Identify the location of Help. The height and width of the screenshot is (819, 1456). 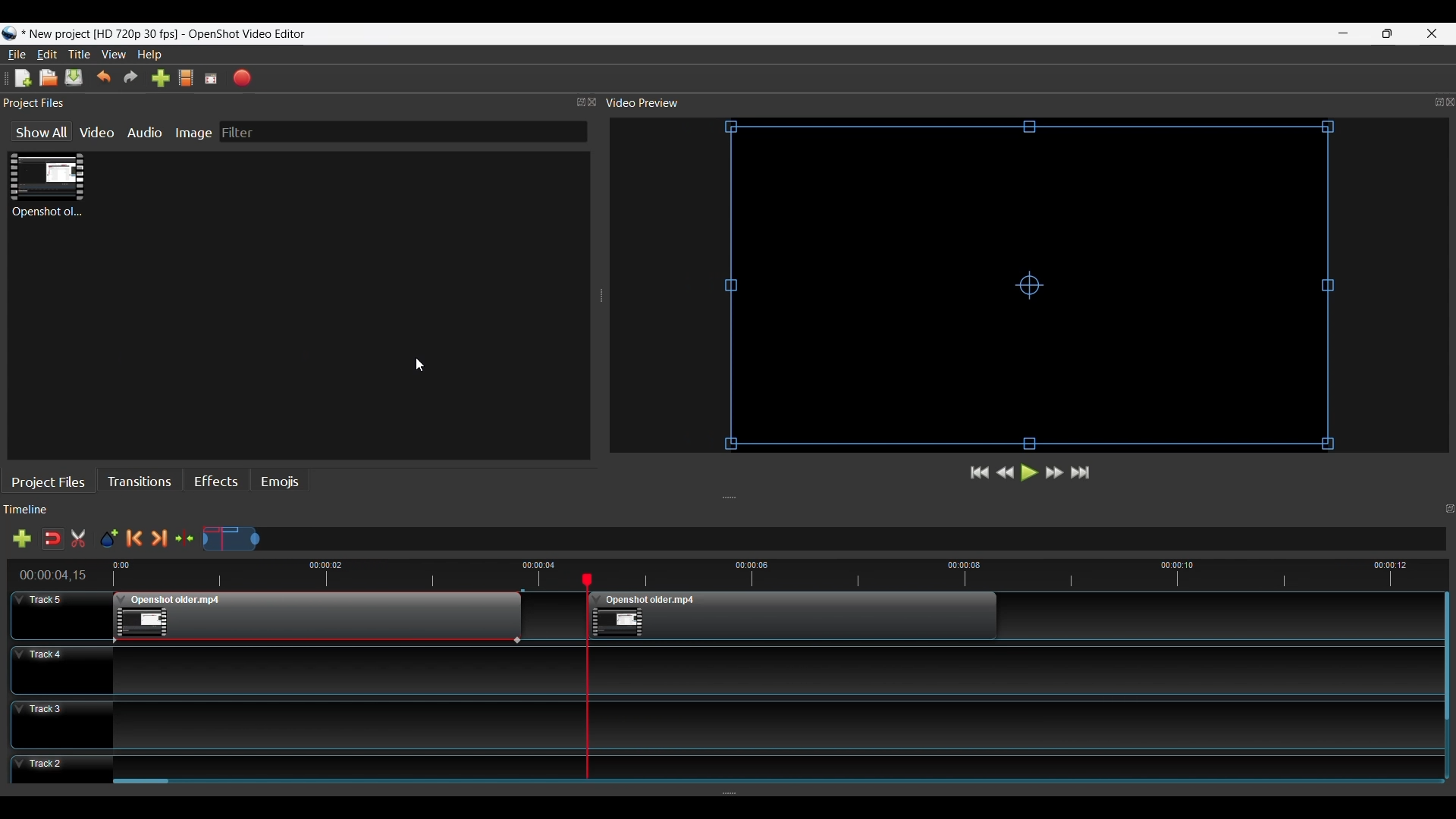
(151, 55).